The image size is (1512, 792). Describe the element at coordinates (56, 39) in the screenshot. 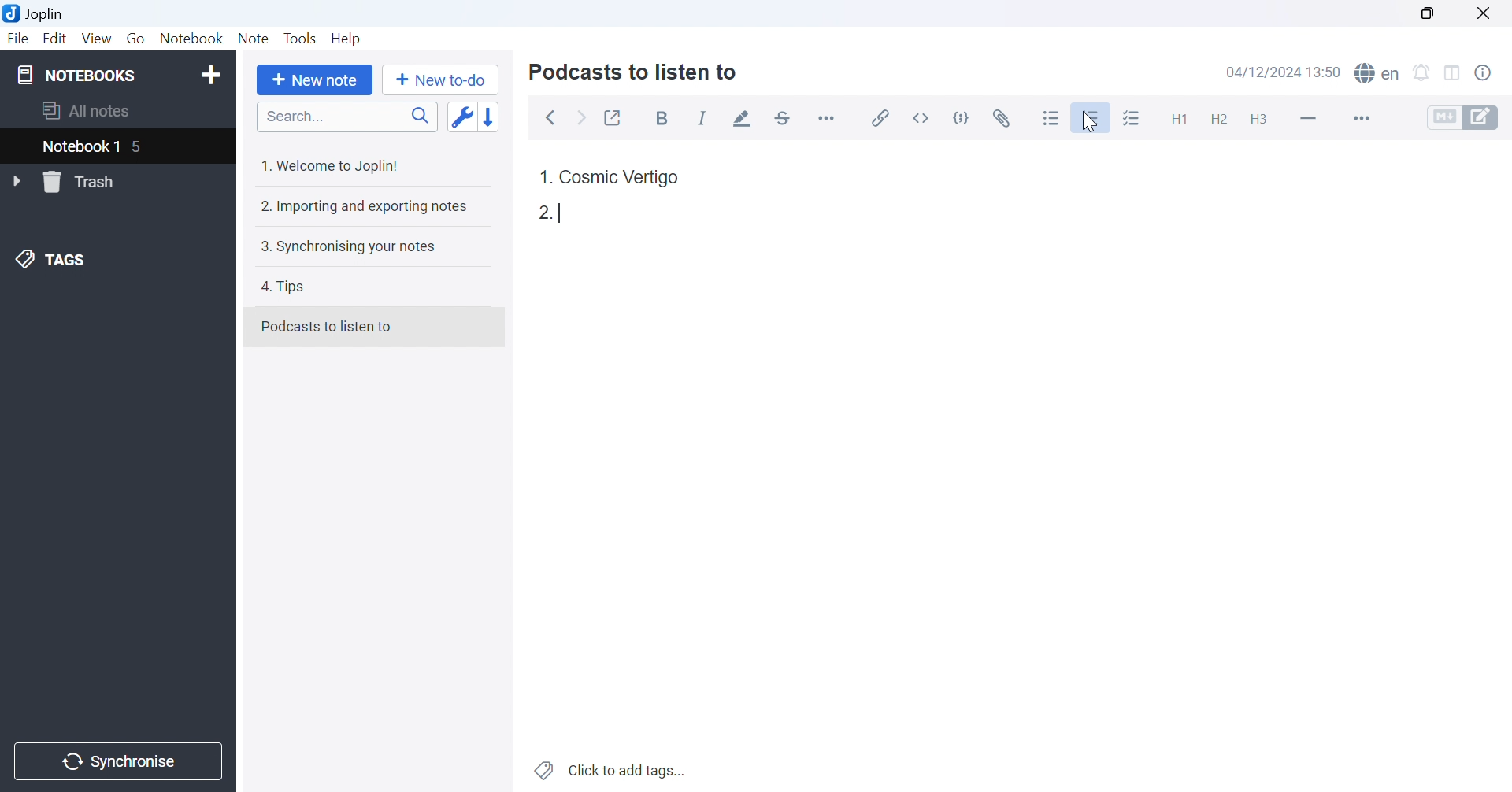

I see `Edit` at that location.